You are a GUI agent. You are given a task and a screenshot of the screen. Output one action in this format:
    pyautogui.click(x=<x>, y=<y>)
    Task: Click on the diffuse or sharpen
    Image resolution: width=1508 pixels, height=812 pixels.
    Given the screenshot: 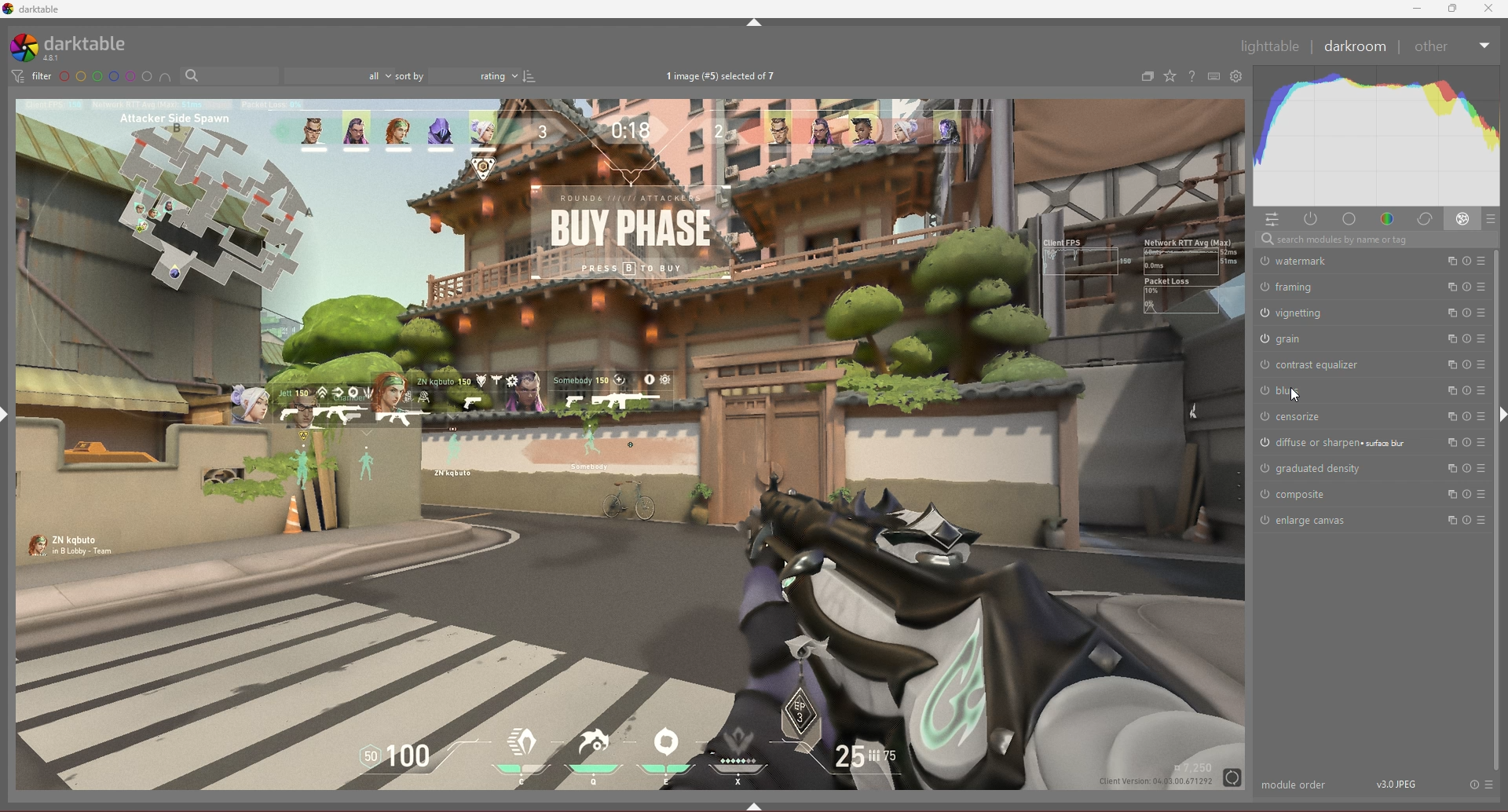 What is the action you would take?
    pyautogui.click(x=1338, y=443)
    